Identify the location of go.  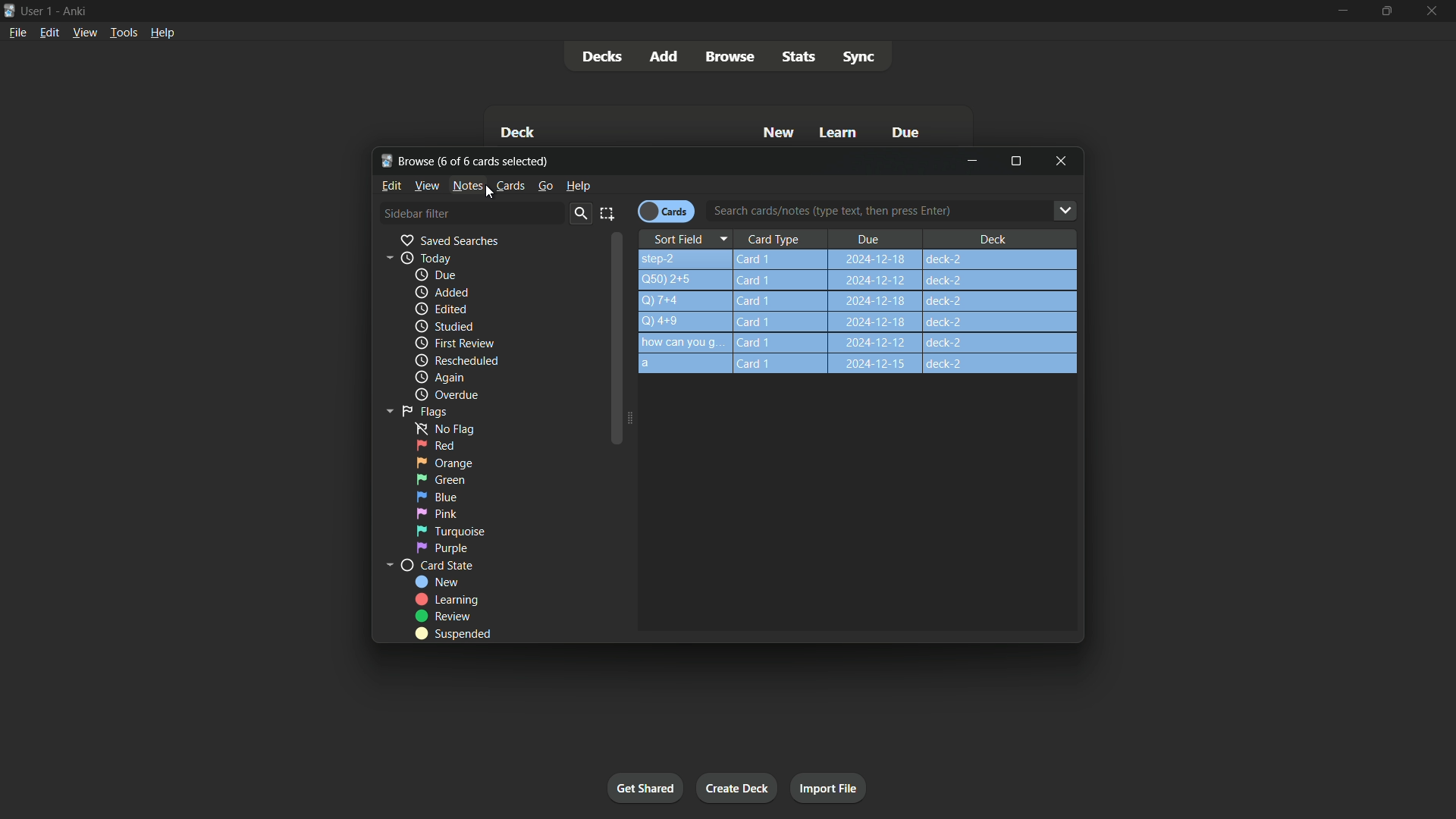
(544, 186).